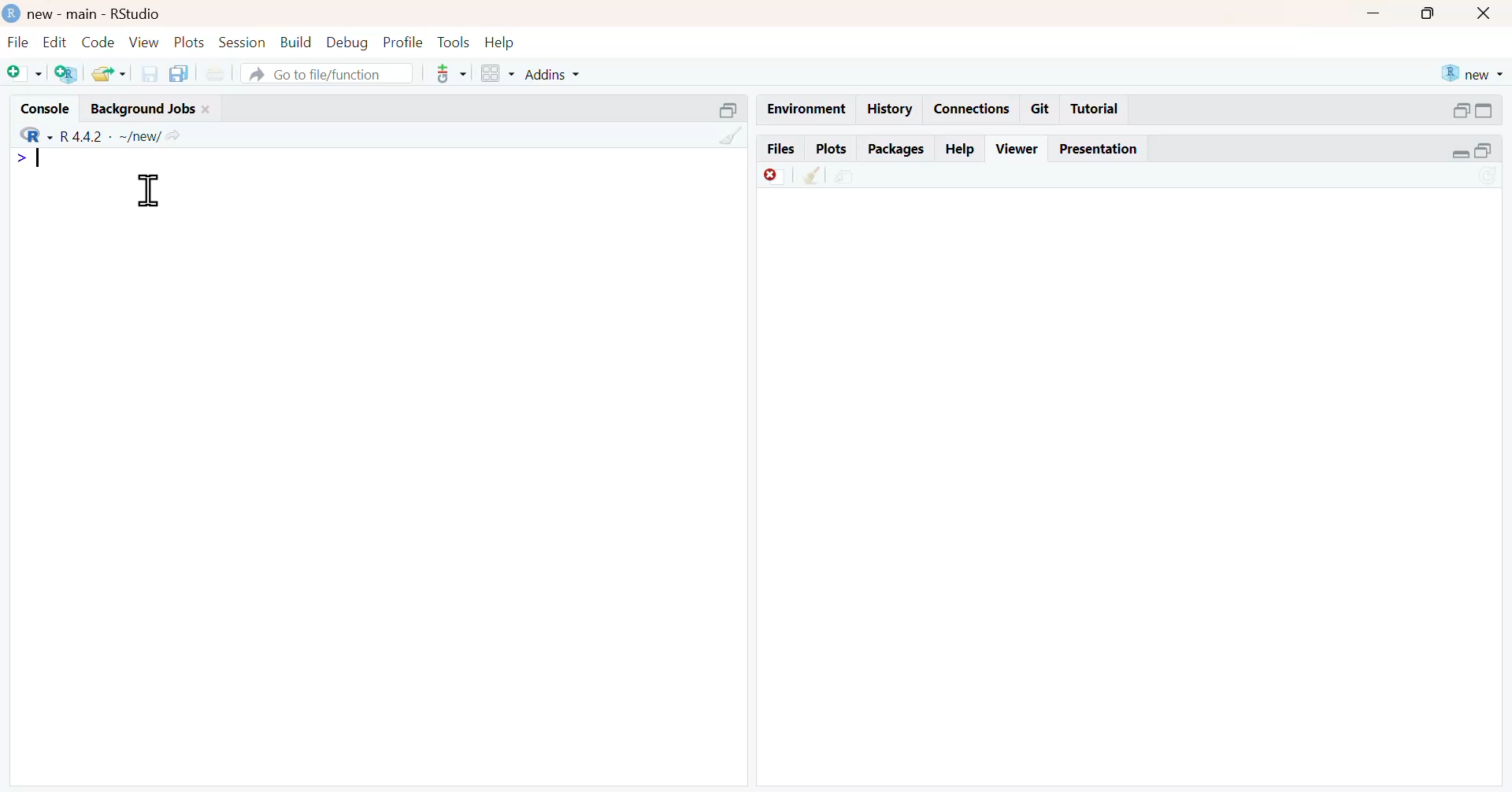 The height and width of the screenshot is (792, 1512). I want to click on create a project, so click(66, 75).